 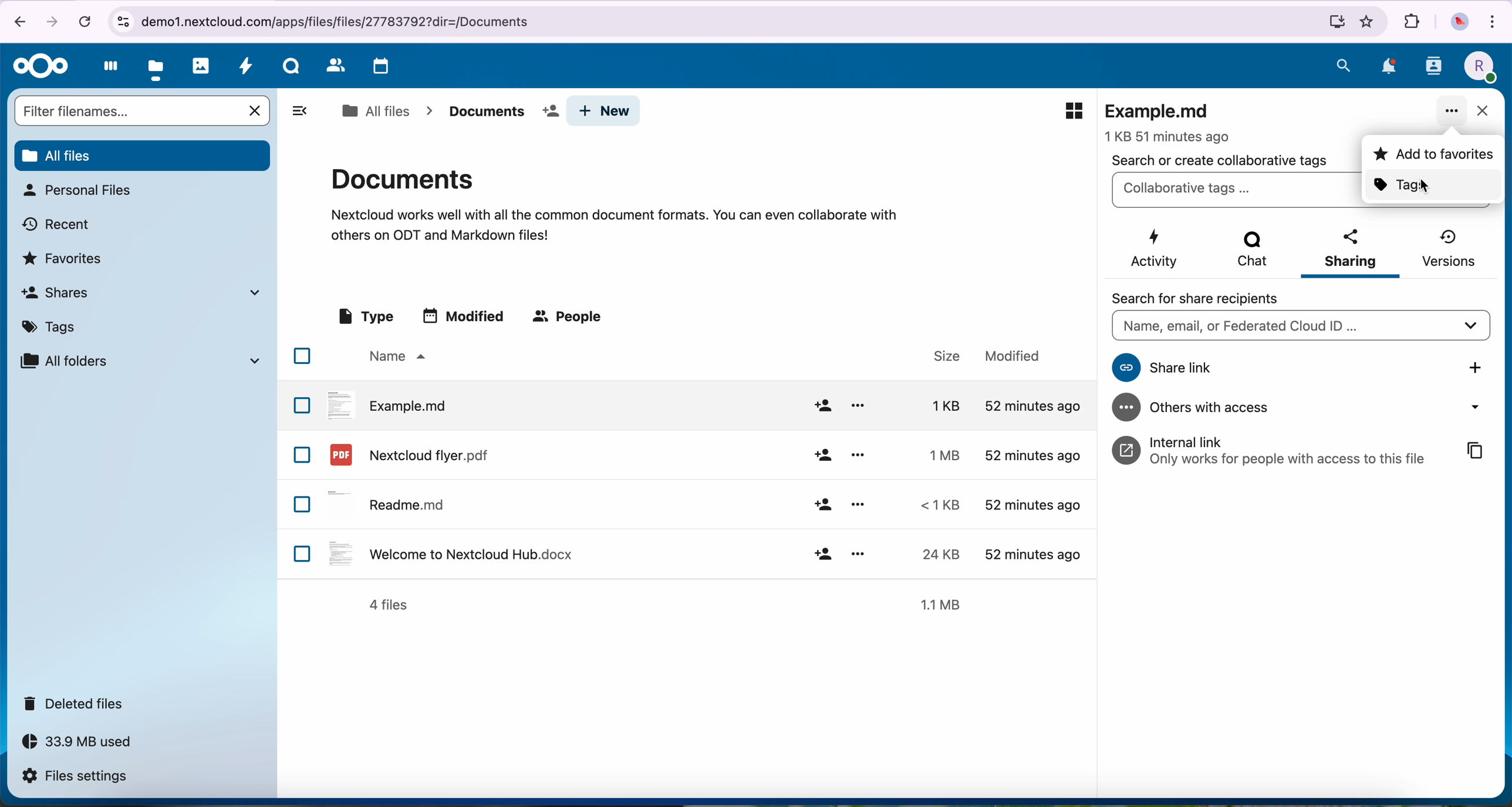 What do you see at coordinates (53, 325) in the screenshot?
I see `tags` at bounding box center [53, 325].